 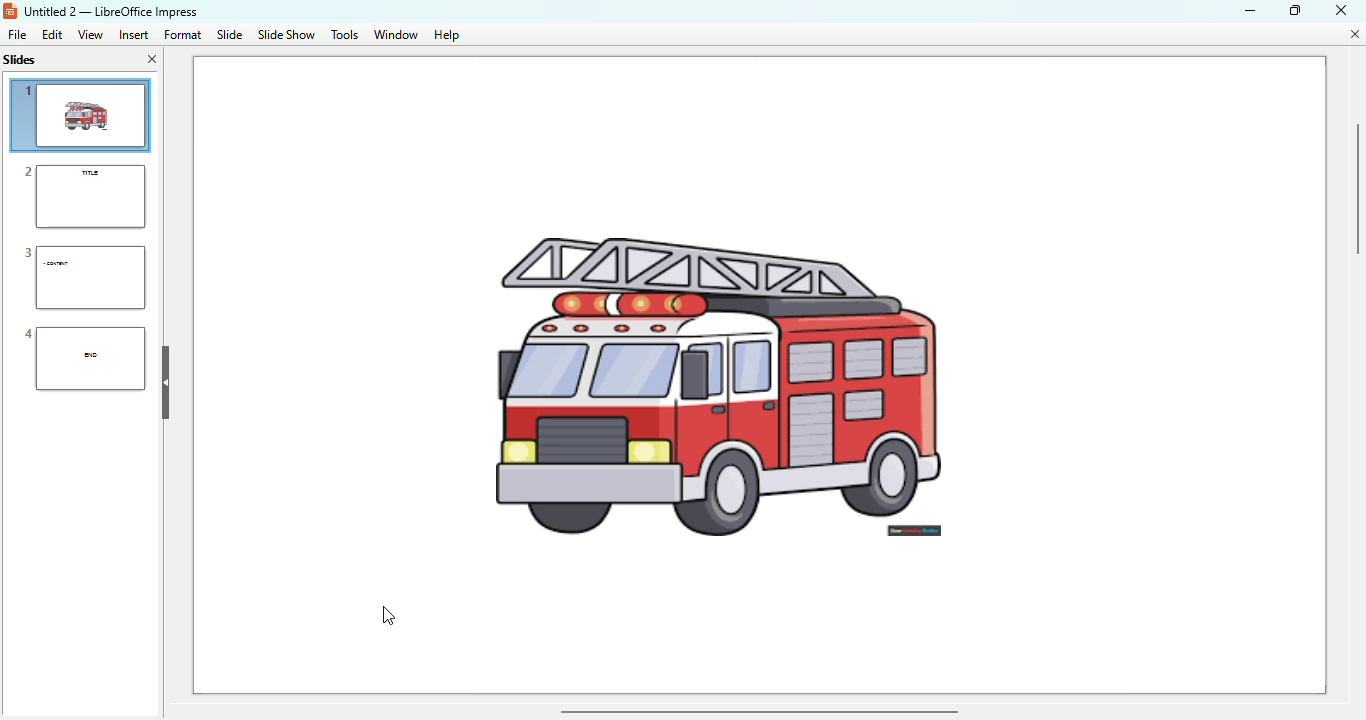 I want to click on horizontal scroll bar, so click(x=758, y=710).